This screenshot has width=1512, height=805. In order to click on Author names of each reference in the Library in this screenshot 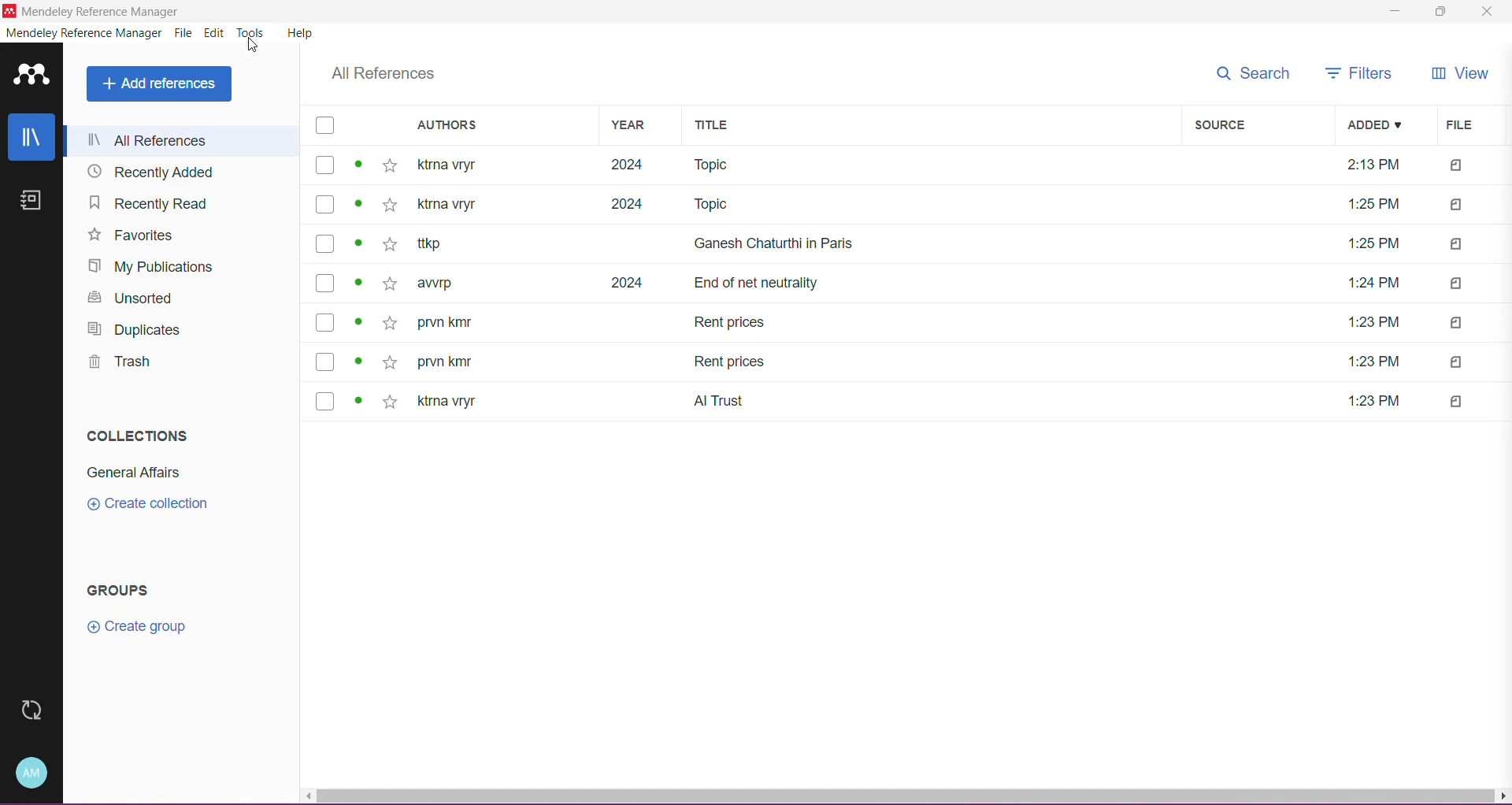, I will do `click(487, 164)`.